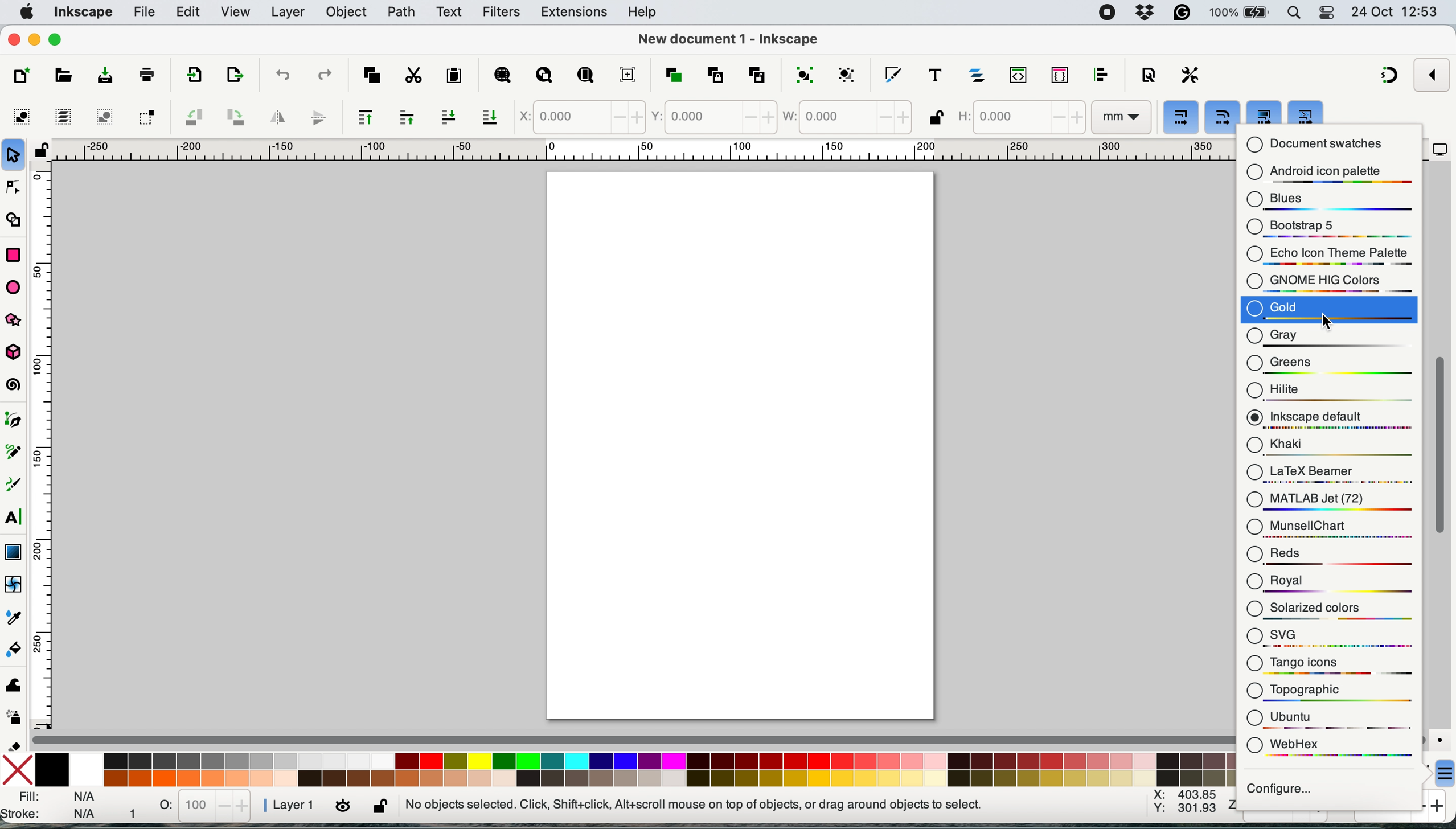 The height and width of the screenshot is (829, 1456). Describe the element at coordinates (16, 322) in the screenshot. I see `stars and banners tools` at that location.